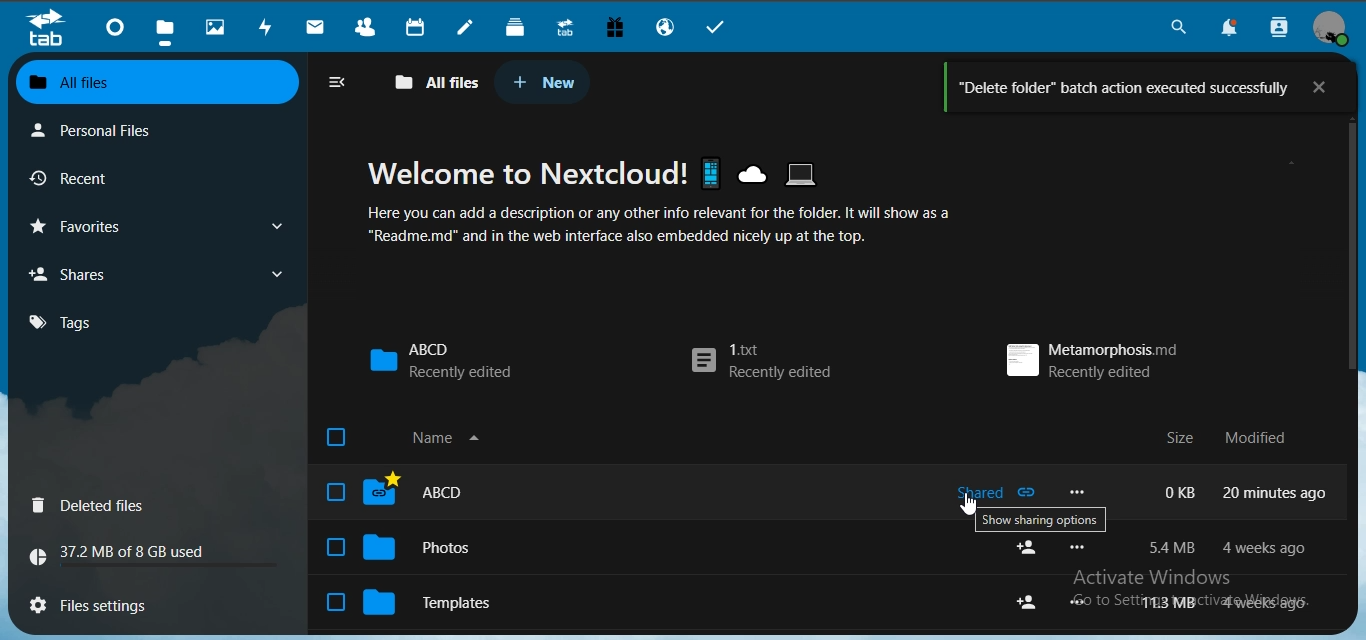 This screenshot has width=1366, height=640. Describe the element at coordinates (1175, 602) in the screenshot. I see `54 mb` at that location.